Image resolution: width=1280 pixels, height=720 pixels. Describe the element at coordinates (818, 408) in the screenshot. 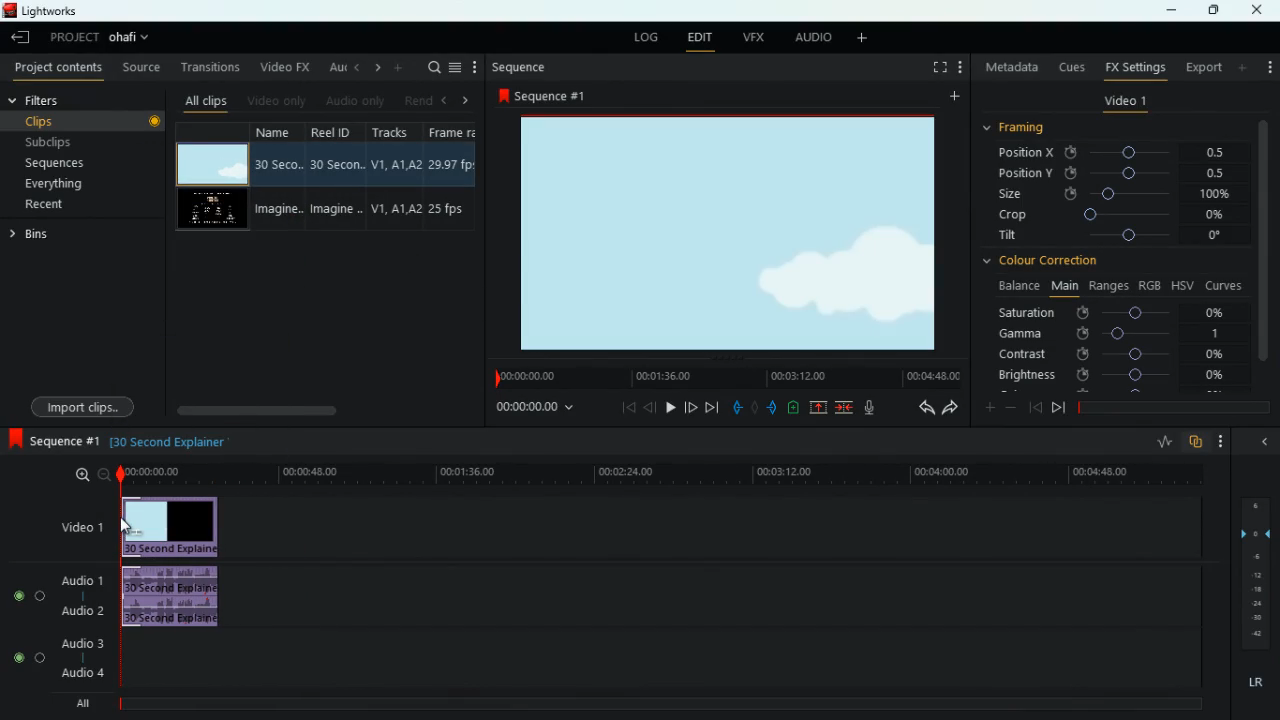

I see `up` at that location.